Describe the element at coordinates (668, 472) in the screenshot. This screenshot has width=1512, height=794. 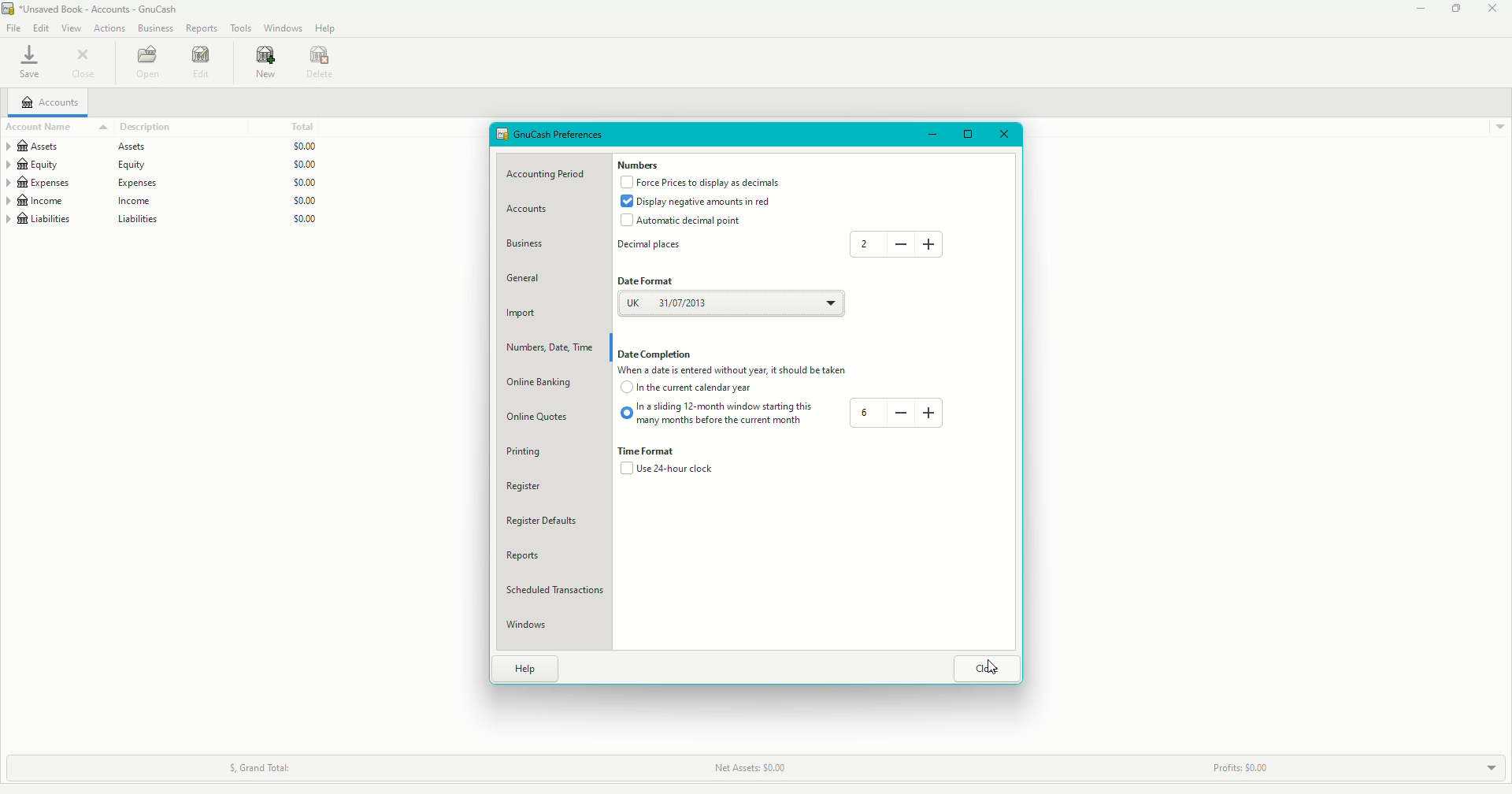
I see `24 hour clock` at that location.